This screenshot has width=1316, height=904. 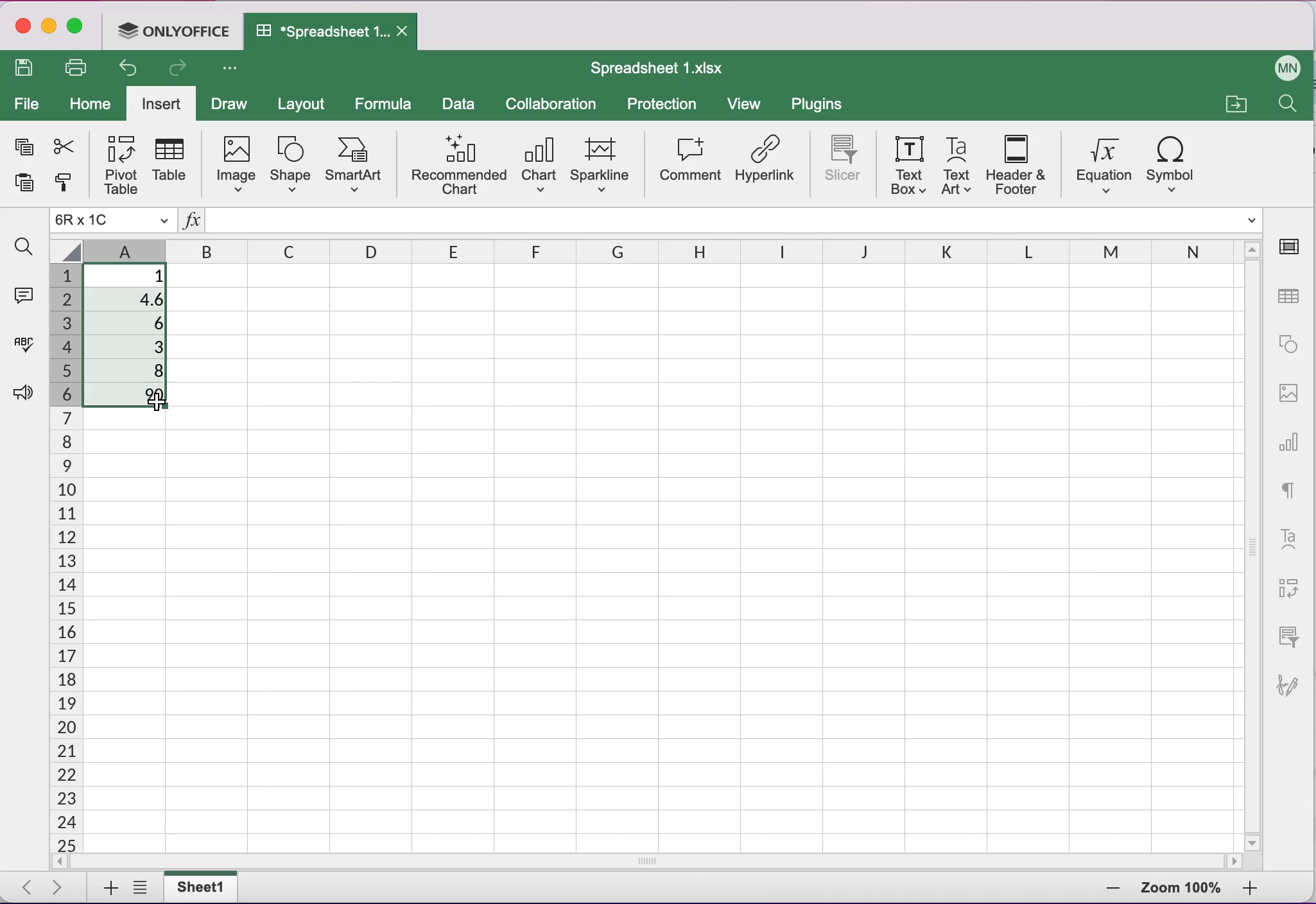 I want to click on Formula bar, so click(x=746, y=220).